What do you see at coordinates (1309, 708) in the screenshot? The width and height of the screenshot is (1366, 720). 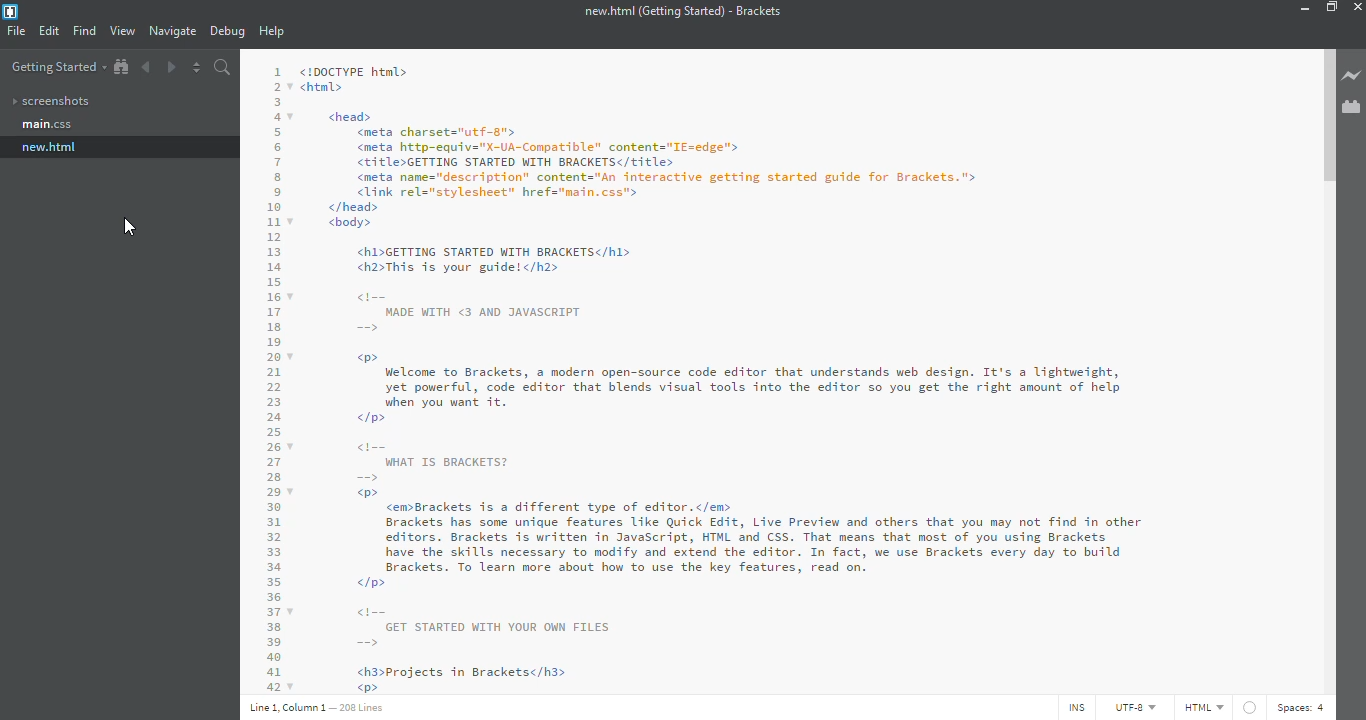 I see `spaces: 4` at bounding box center [1309, 708].